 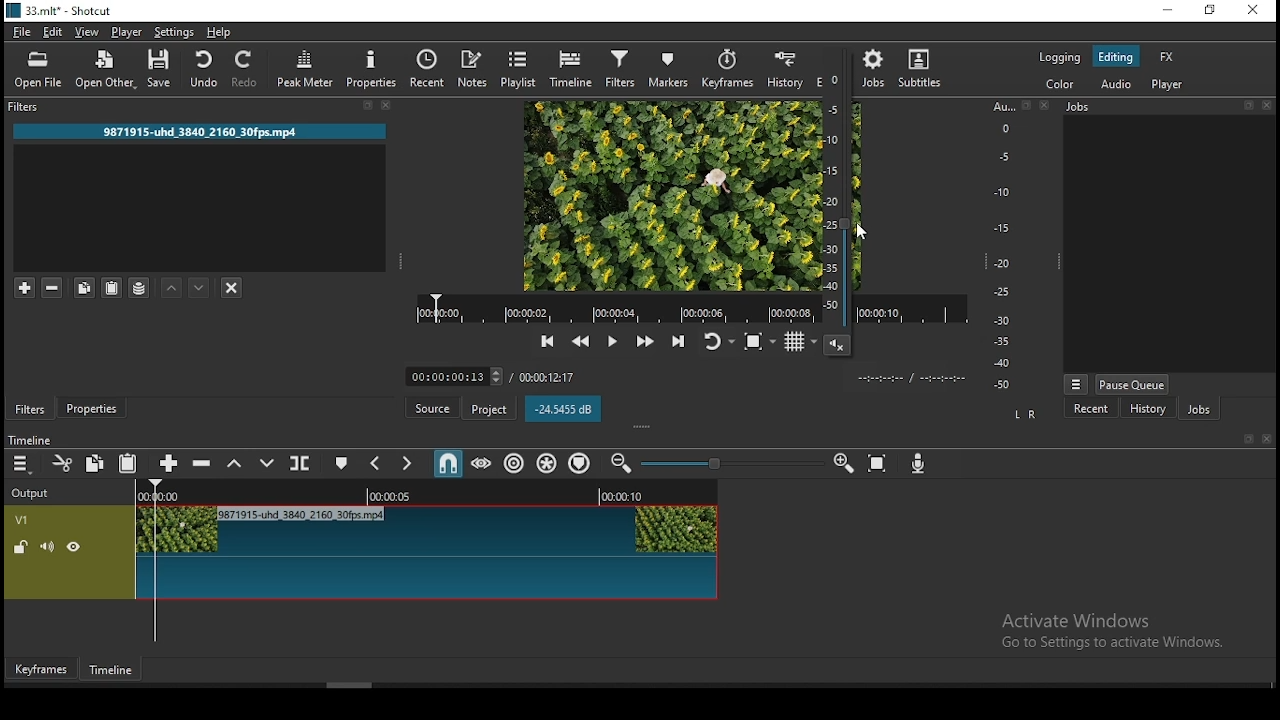 I want to click on close, so click(x=1267, y=441).